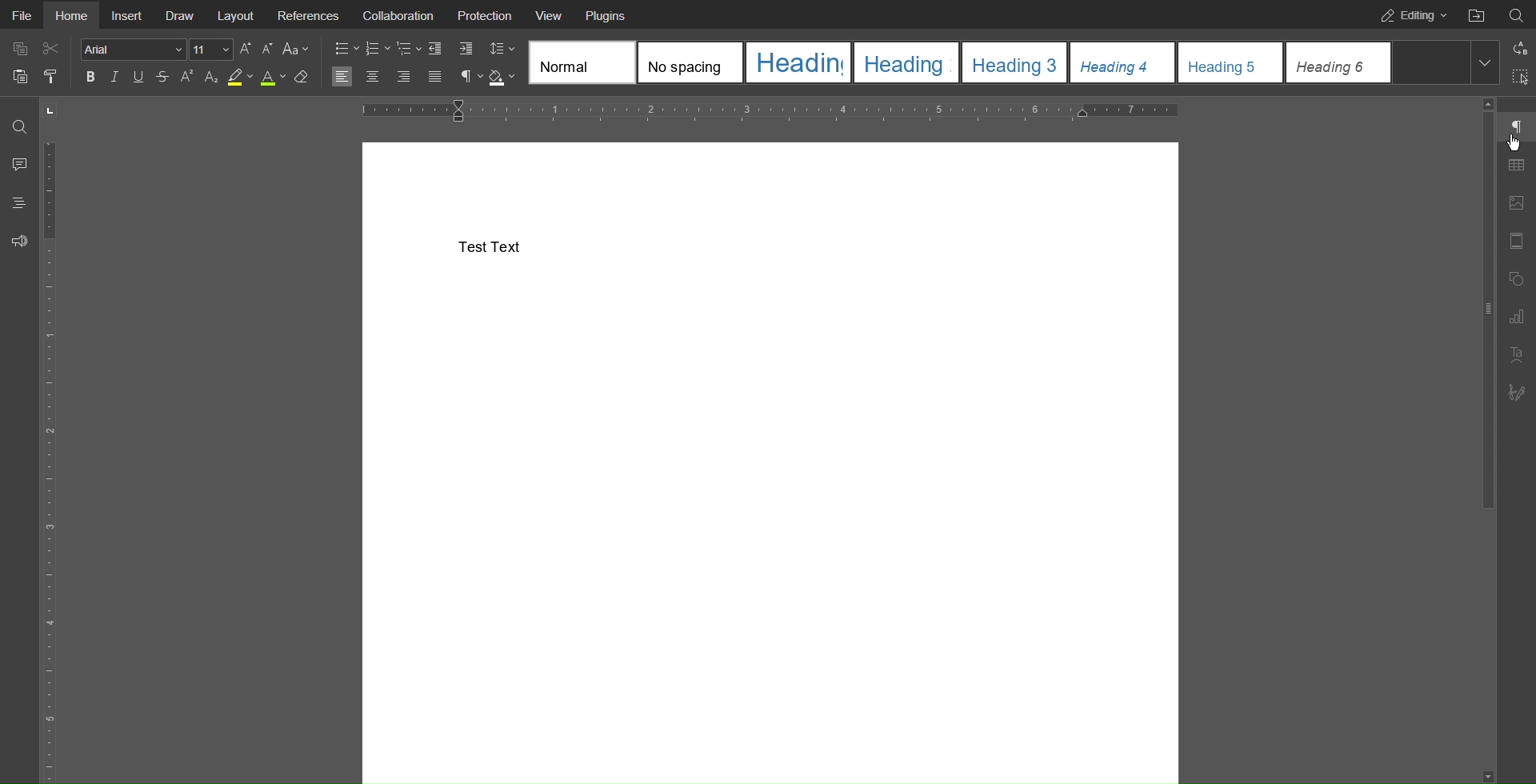 Image resolution: width=1536 pixels, height=784 pixels. Describe the element at coordinates (1514, 243) in the screenshot. I see `Header and Footer Settings` at that location.